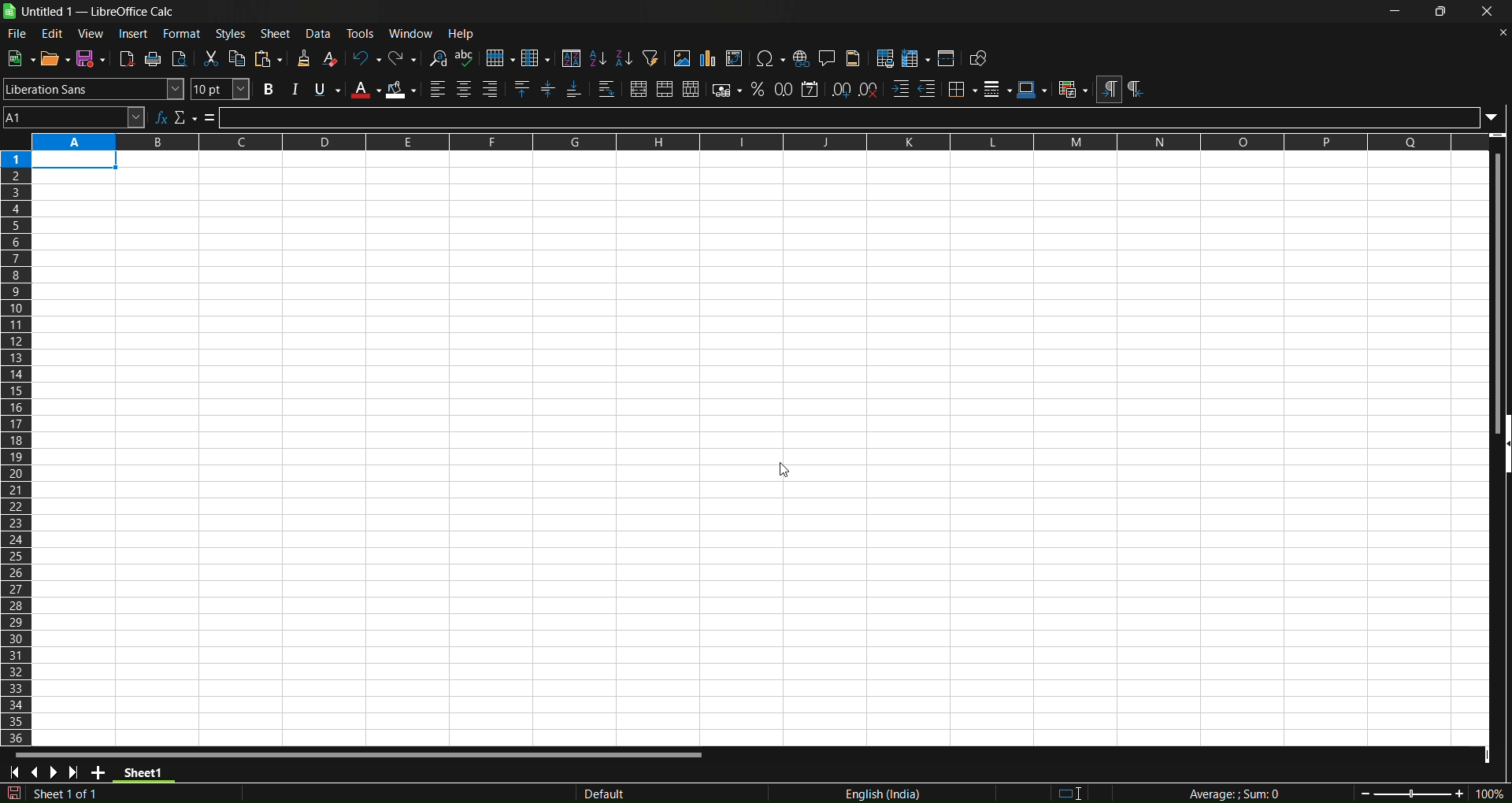 This screenshot has height=803, width=1512. Describe the element at coordinates (53, 34) in the screenshot. I see `edit` at that location.